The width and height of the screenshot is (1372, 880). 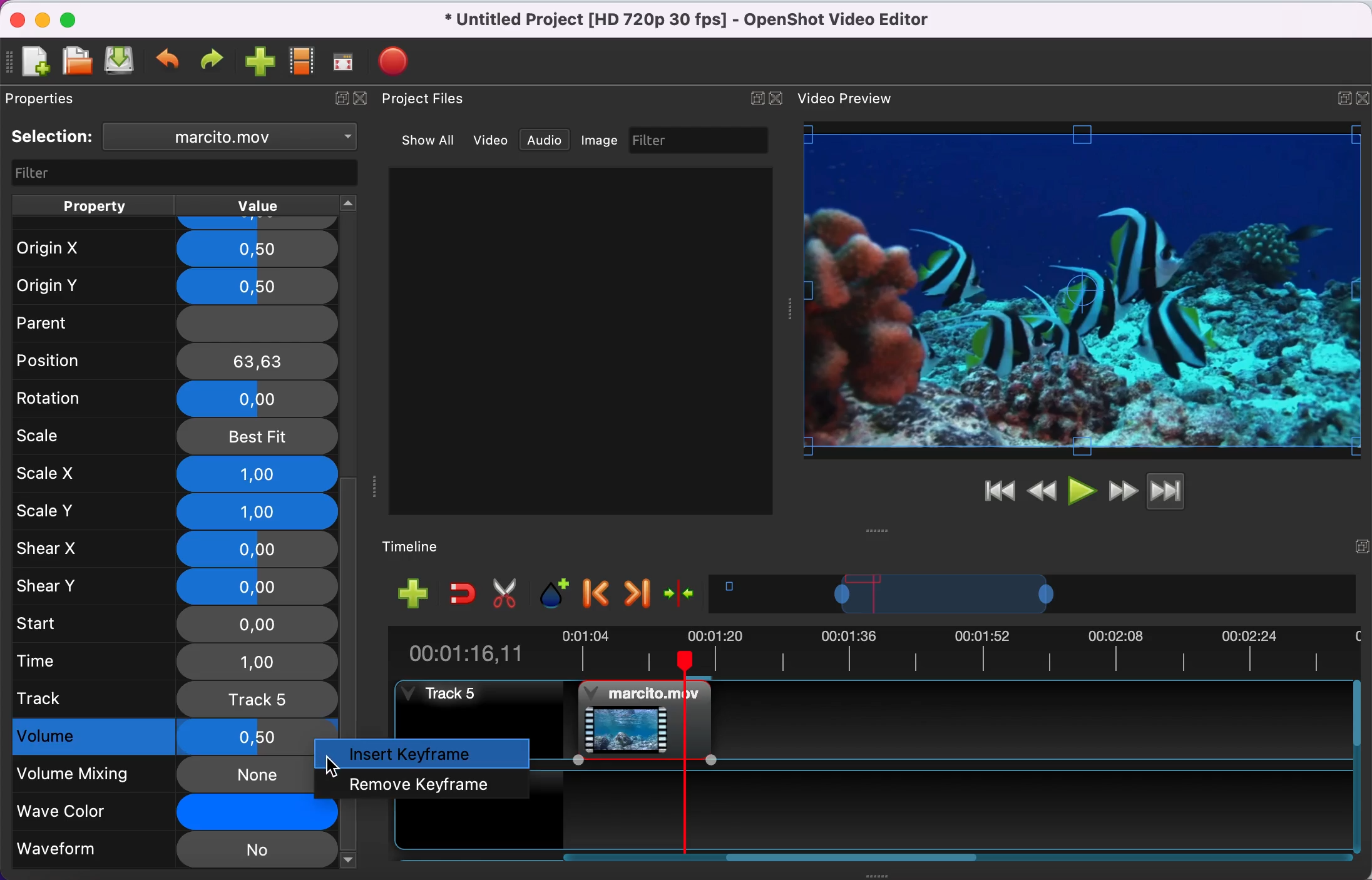 I want to click on choose profile, so click(x=301, y=62).